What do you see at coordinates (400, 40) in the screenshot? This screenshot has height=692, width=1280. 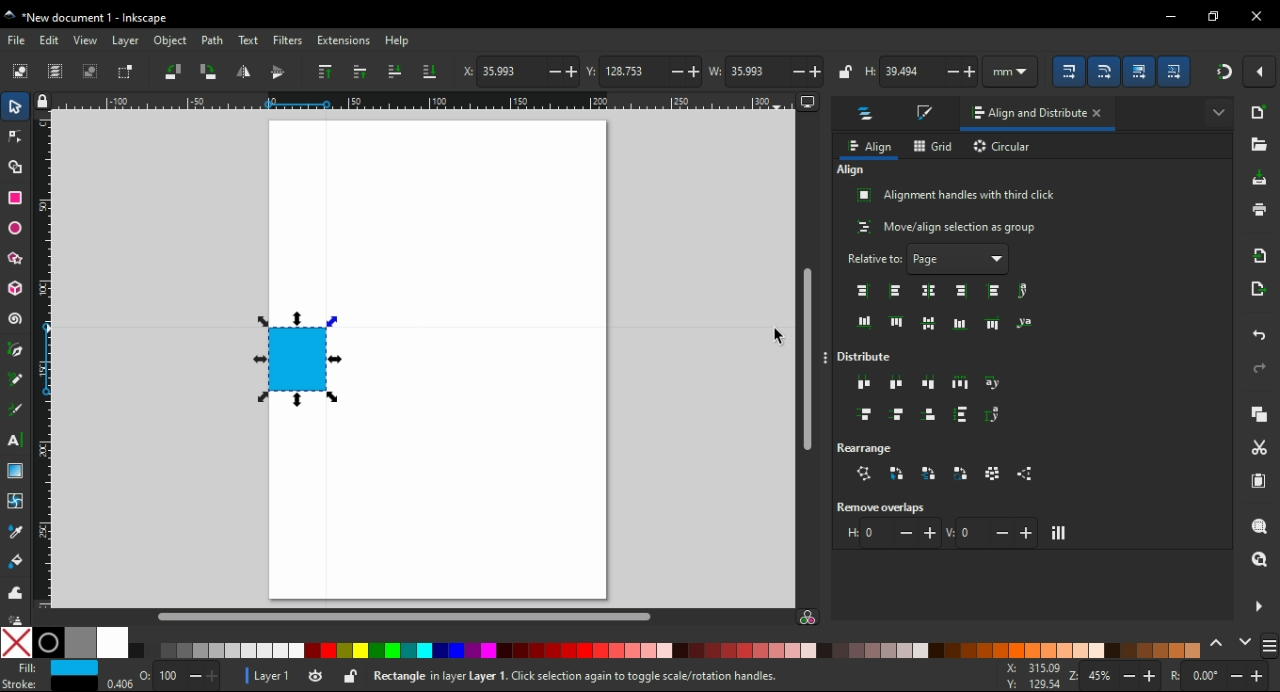 I see `help` at bounding box center [400, 40].